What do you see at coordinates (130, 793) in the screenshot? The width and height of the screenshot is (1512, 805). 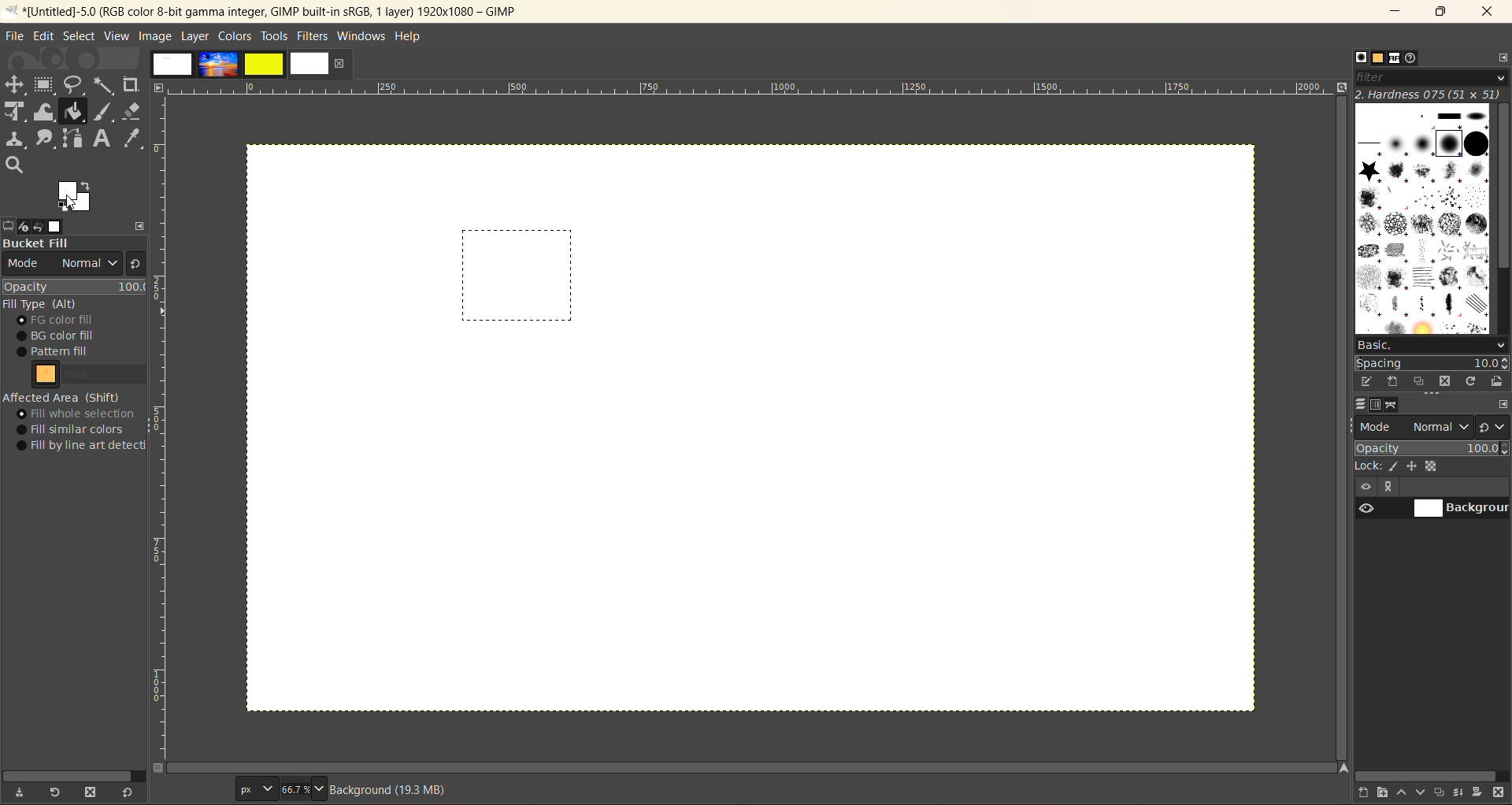 I see `reset to default values` at bounding box center [130, 793].